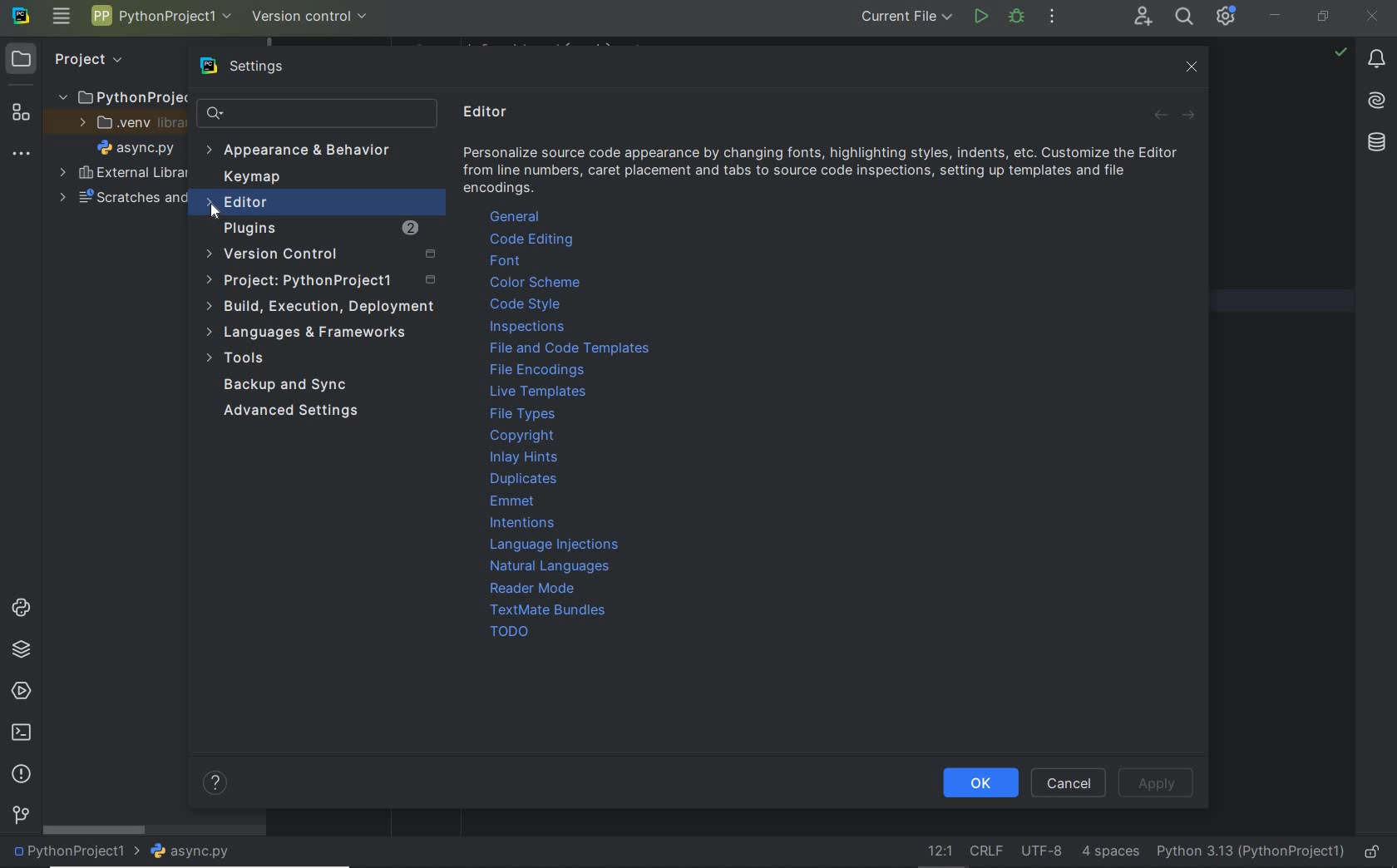 This screenshot has width=1397, height=868. What do you see at coordinates (162, 16) in the screenshot?
I see `project name` at bounding box center [162, 16].